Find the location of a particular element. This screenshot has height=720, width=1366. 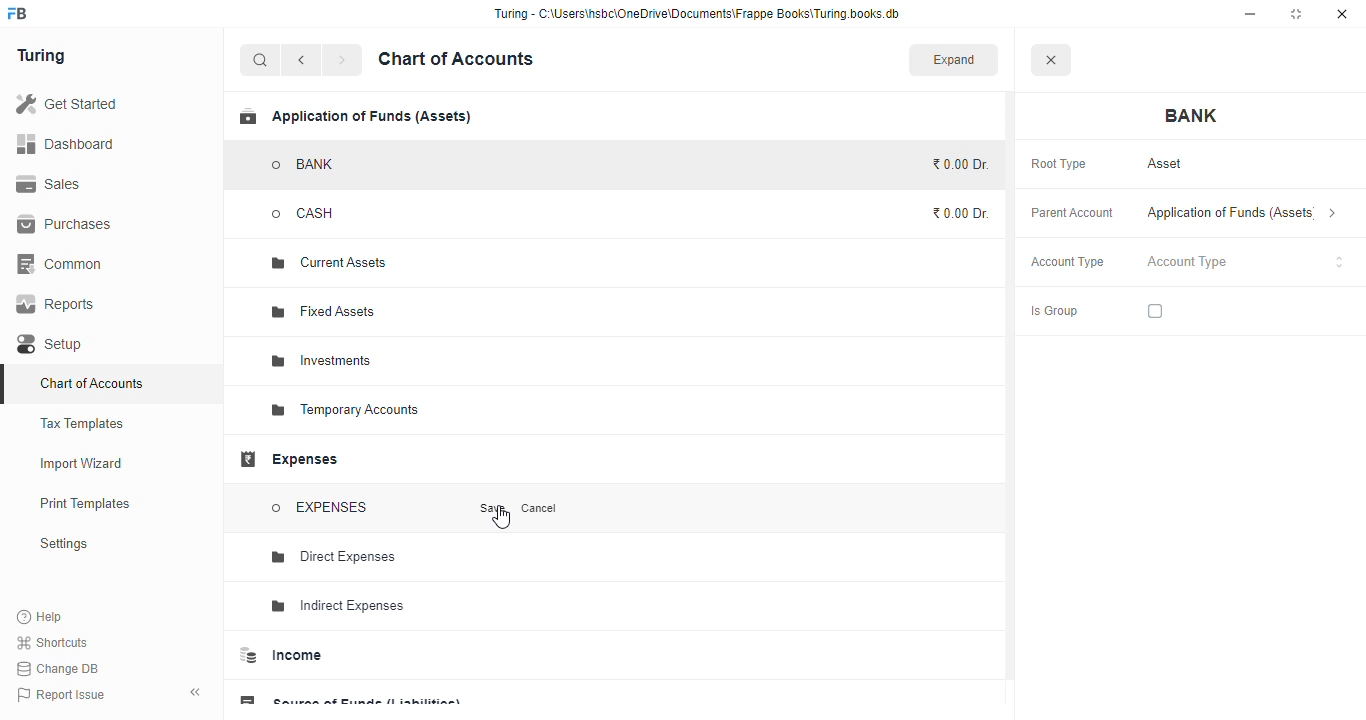

application of funds (assets) is located at coordinates (355, 116).